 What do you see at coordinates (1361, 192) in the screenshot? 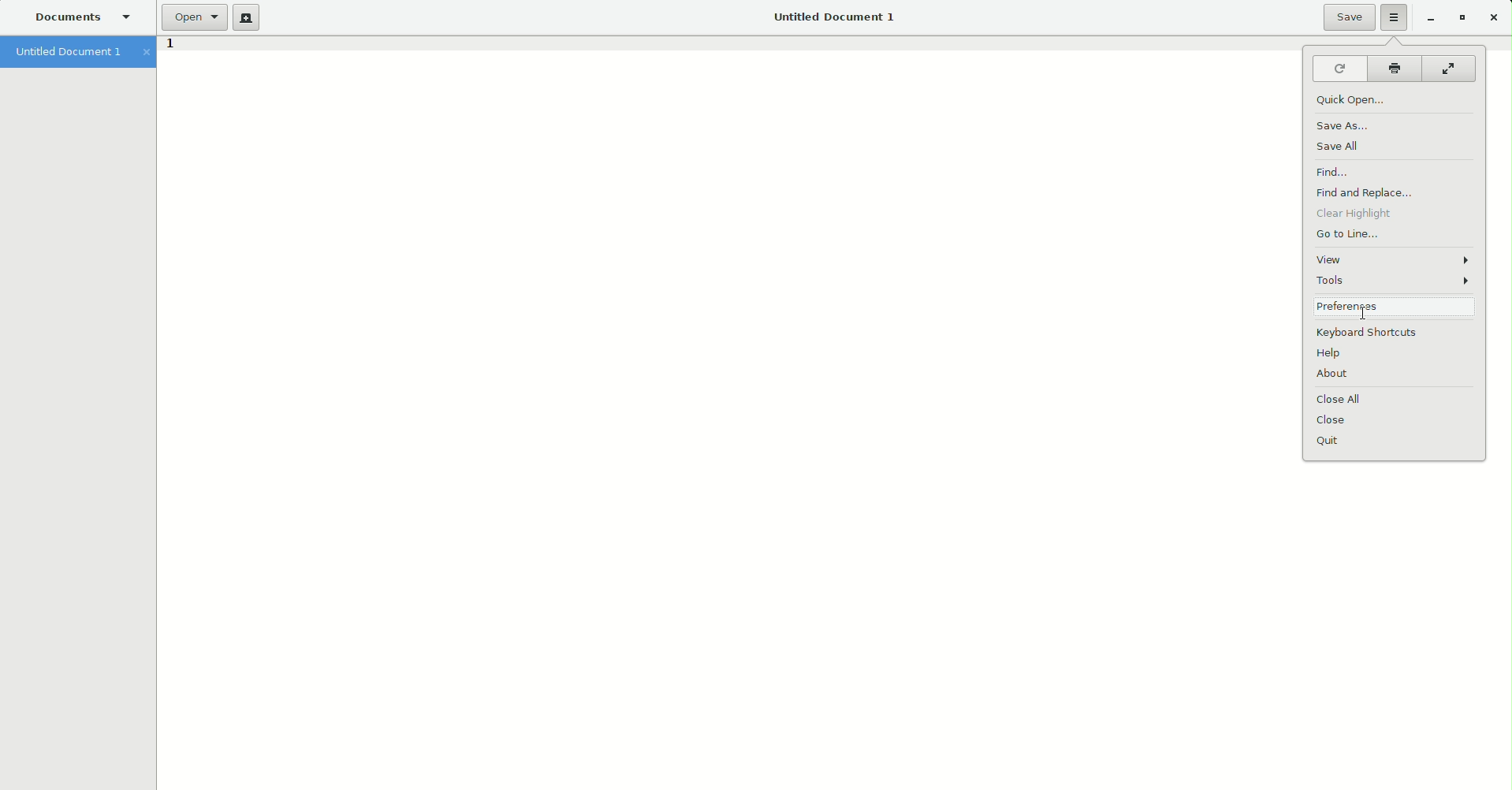
I see `Find and Replace` at bounding box center [1361, 192].